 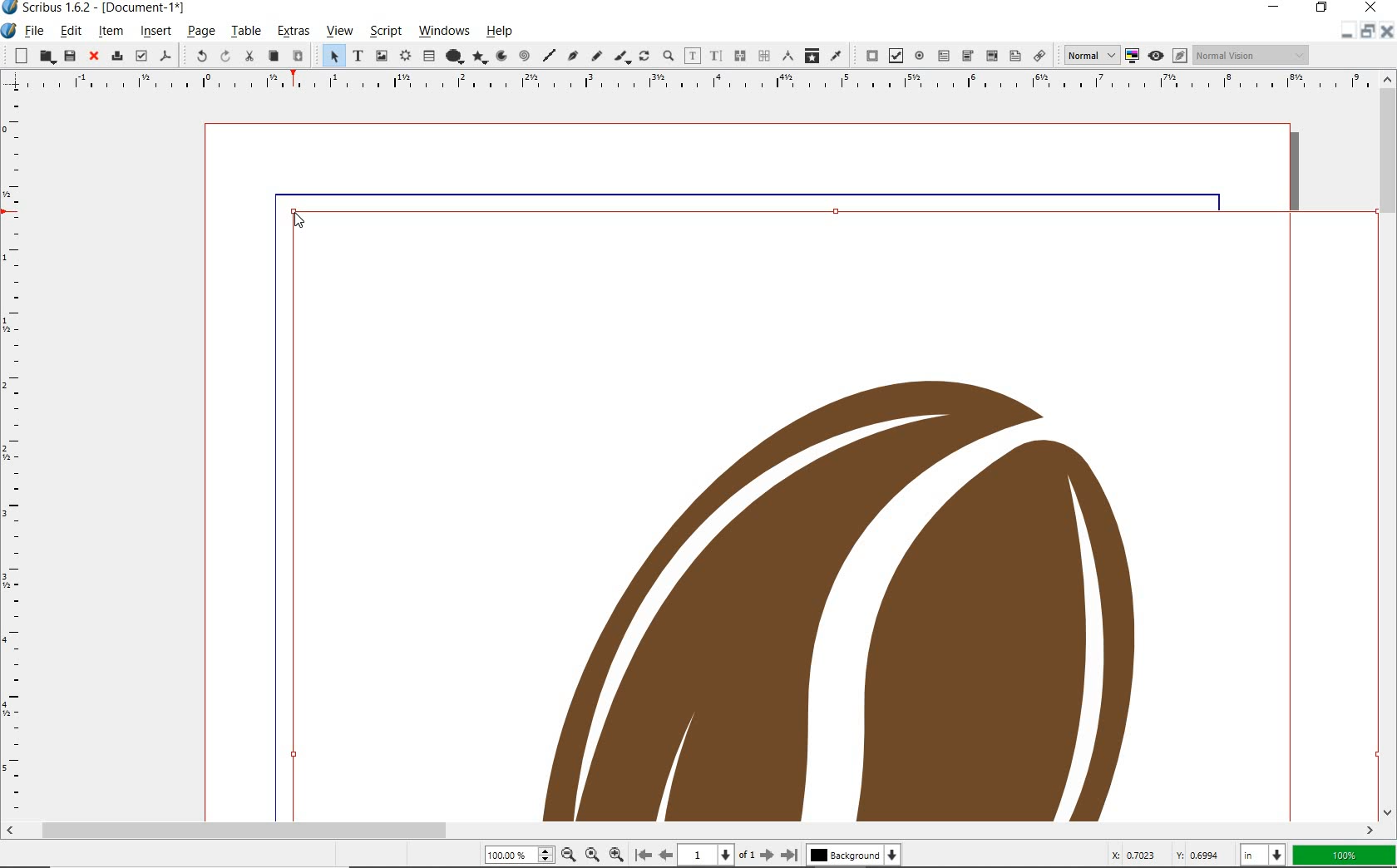 I want to click on text frame, so click(x=358, y=55).